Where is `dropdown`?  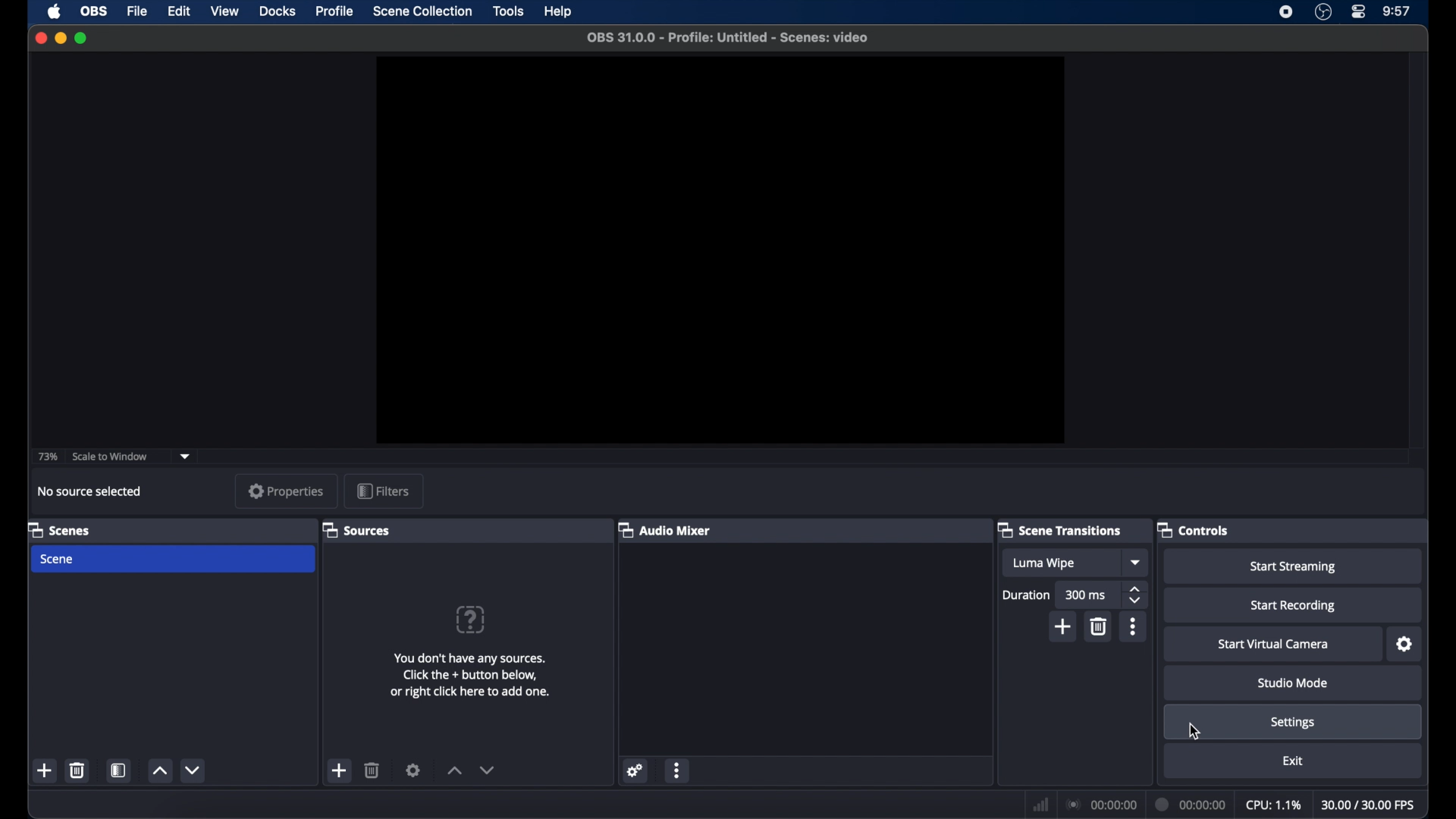
dropdown is located at coordinates (185, 457).